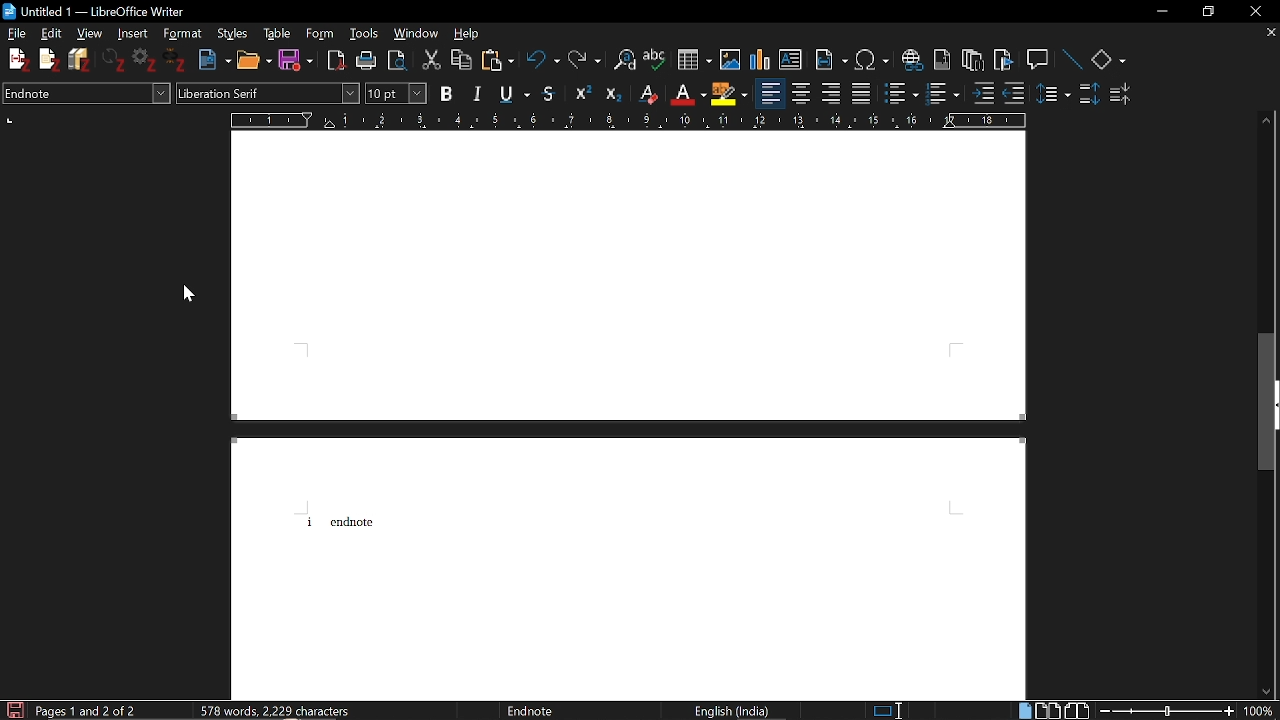 The width and height of the screenshot is (1280, 720). Describe the element at coordinates (801, 94) in the screenshot. I see `Center` at that location.